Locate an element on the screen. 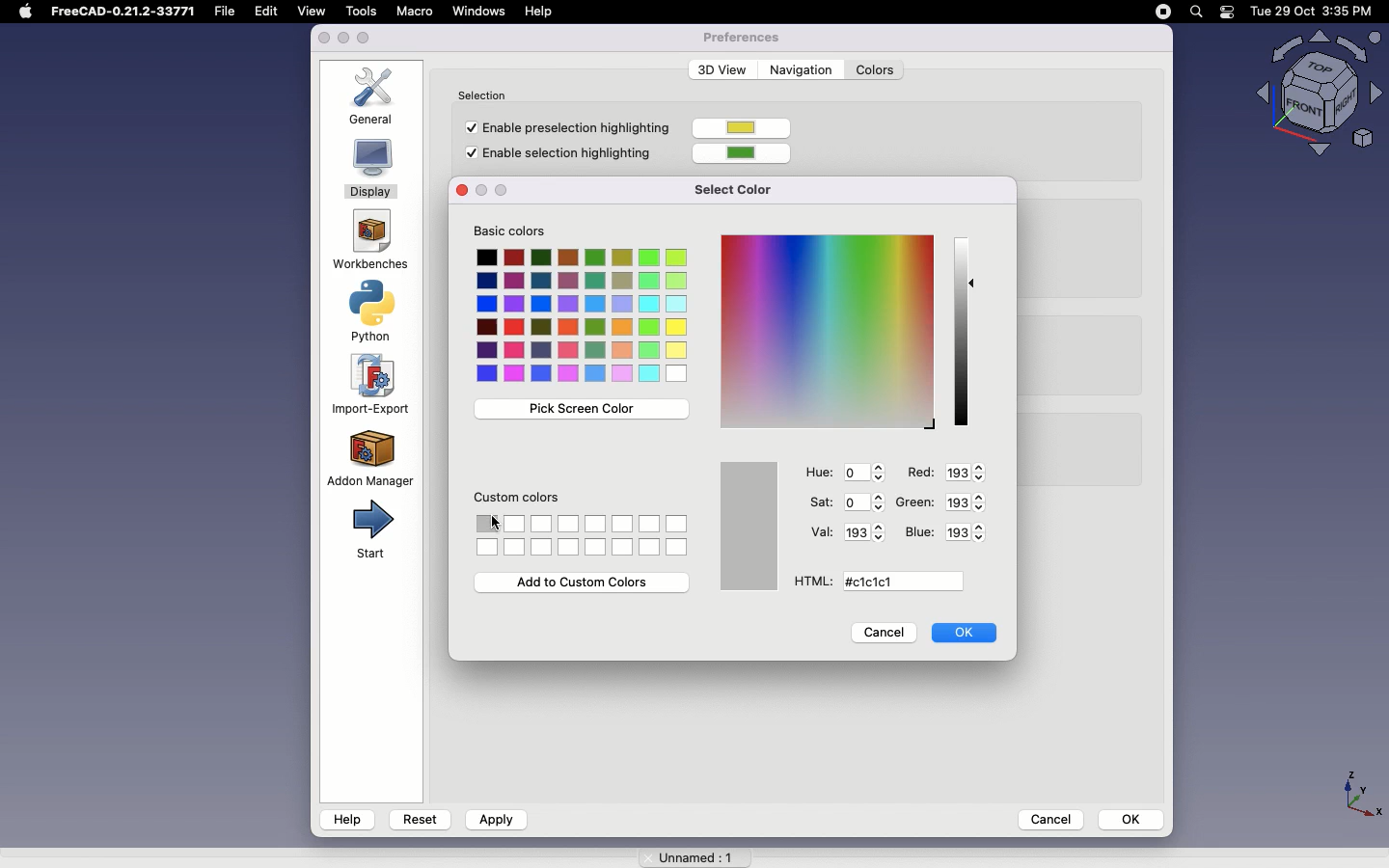 Image resolution: width=1389 pixels, height=868 pixels. minimise is located at coordinates (343, 40).